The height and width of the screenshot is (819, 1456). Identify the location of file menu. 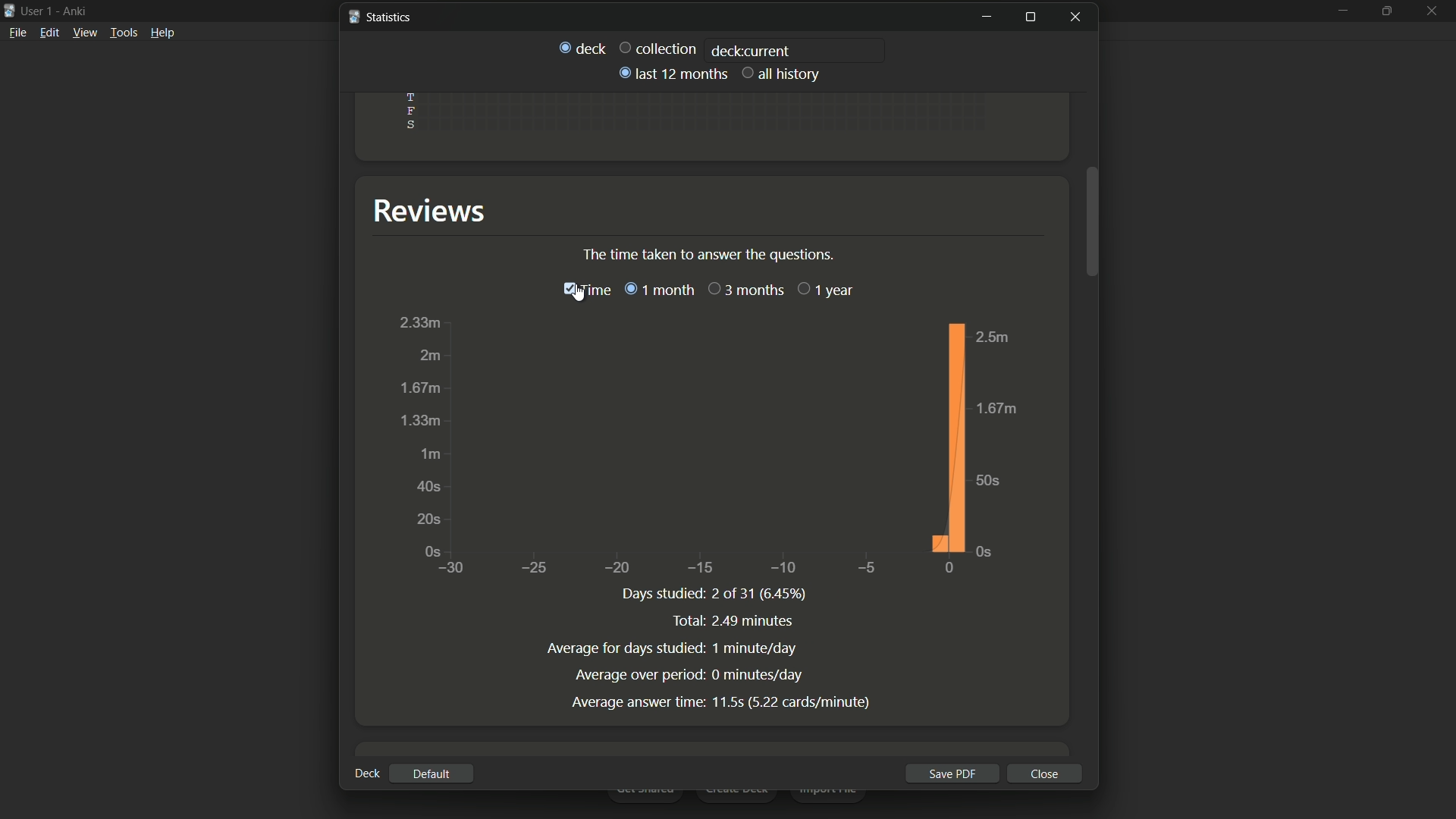
(18, 32).